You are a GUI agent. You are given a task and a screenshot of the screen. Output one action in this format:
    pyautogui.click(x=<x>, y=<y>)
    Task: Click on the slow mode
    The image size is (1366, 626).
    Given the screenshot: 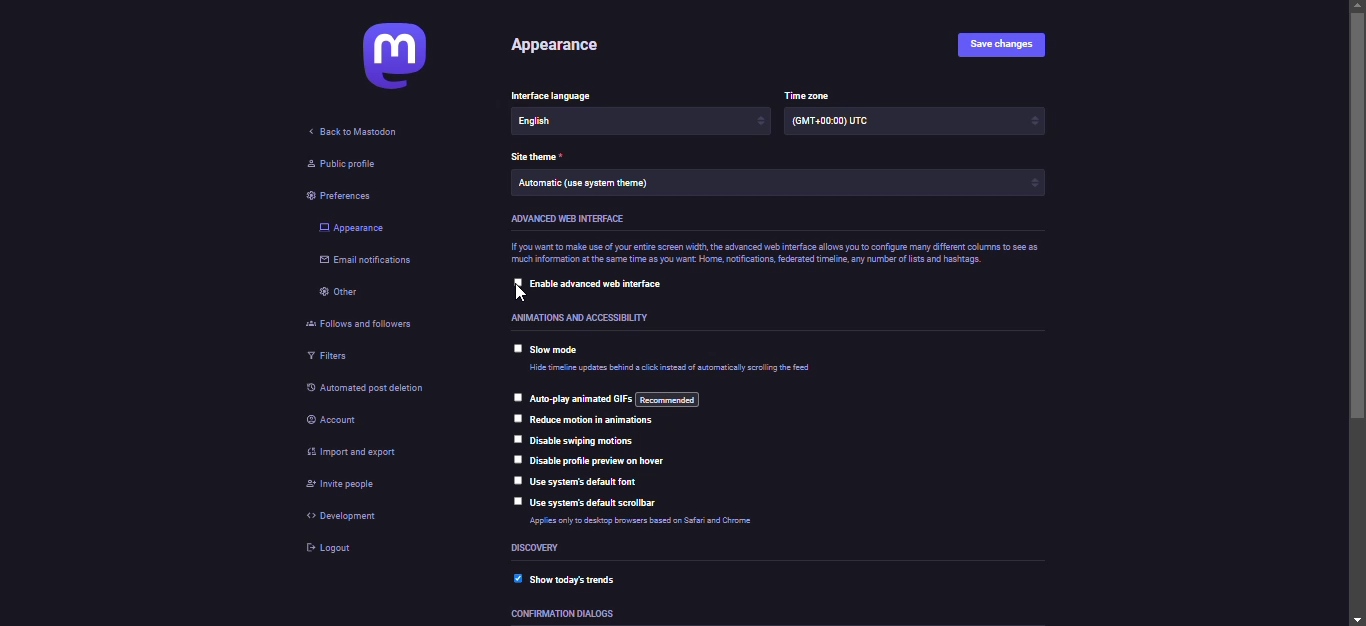 What is the action you would take?
    pyautogui.click(x=565, y=347)
    